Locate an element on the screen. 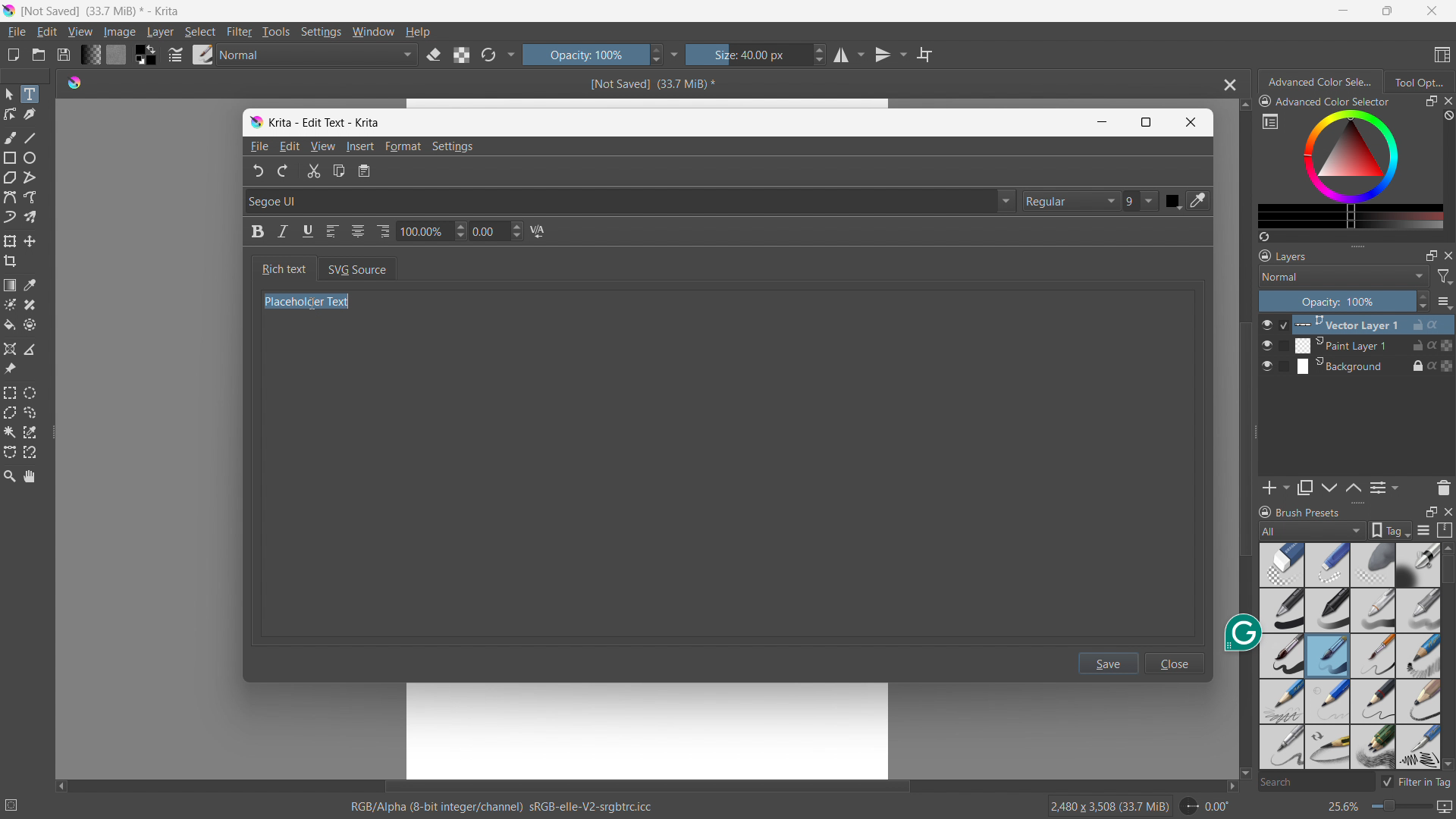 The width and height of the screenshot is (1456, 819). move to a layer is located at coordinates (30, 241).